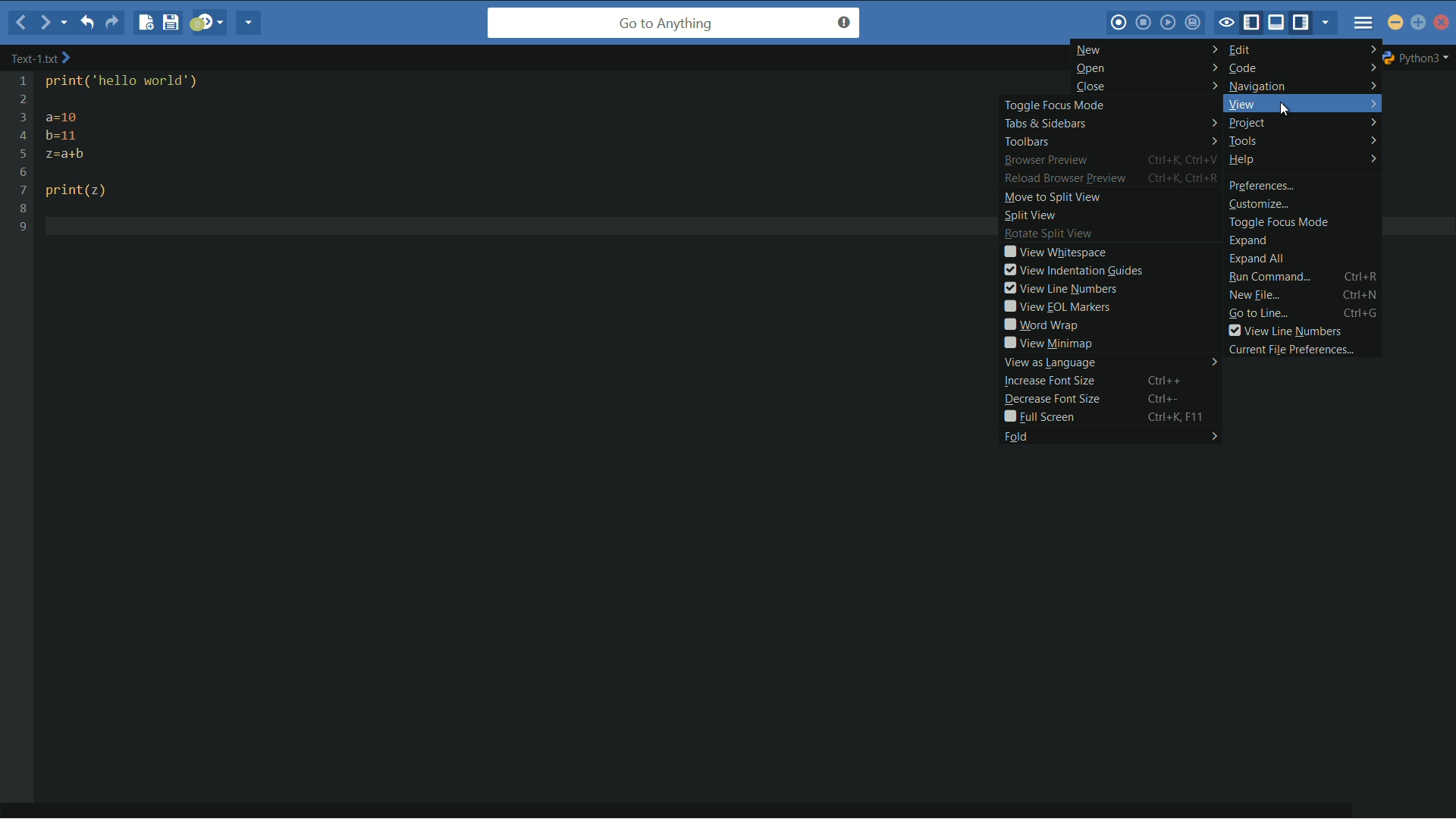 The width and height of the screenshot is (1456, 819). I want to click on expand all, so click(1261, 259).